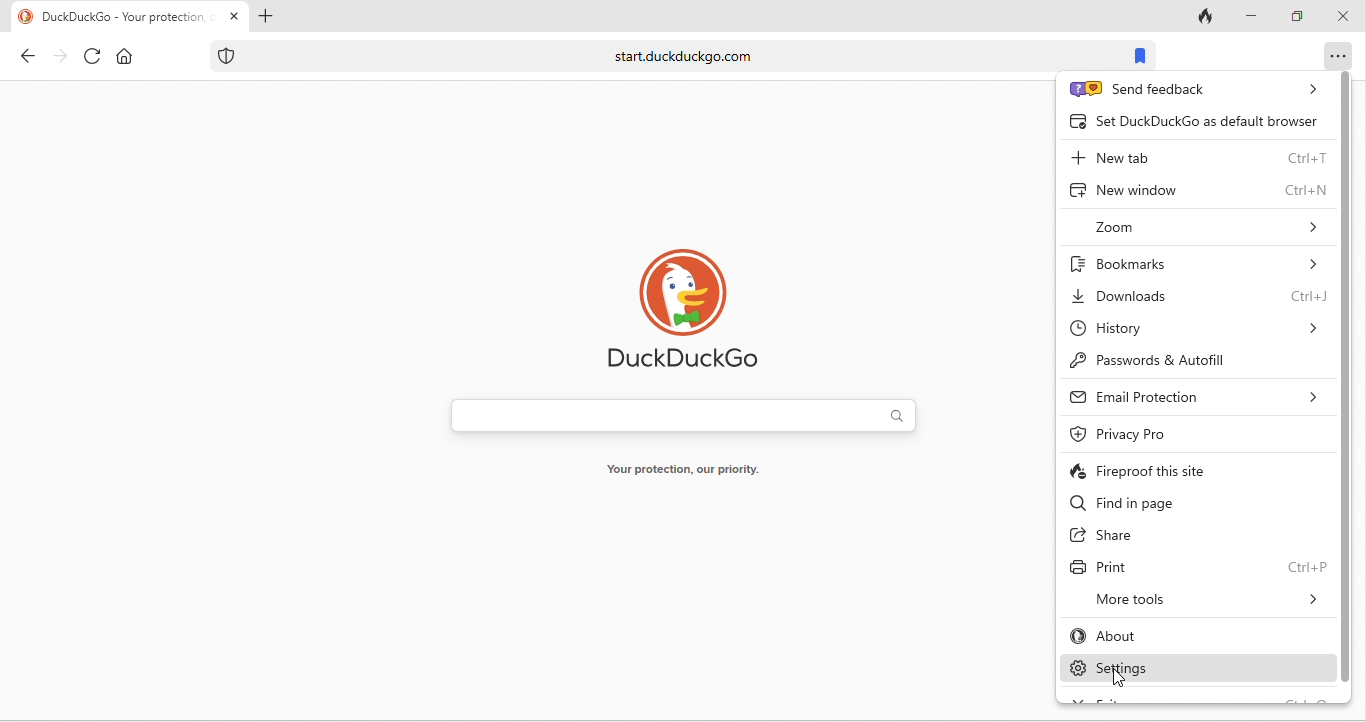 The image size is (1366, 722). Describe the element at coordinates (1205, 229) in the screenshot. I see `zoom` at that location.